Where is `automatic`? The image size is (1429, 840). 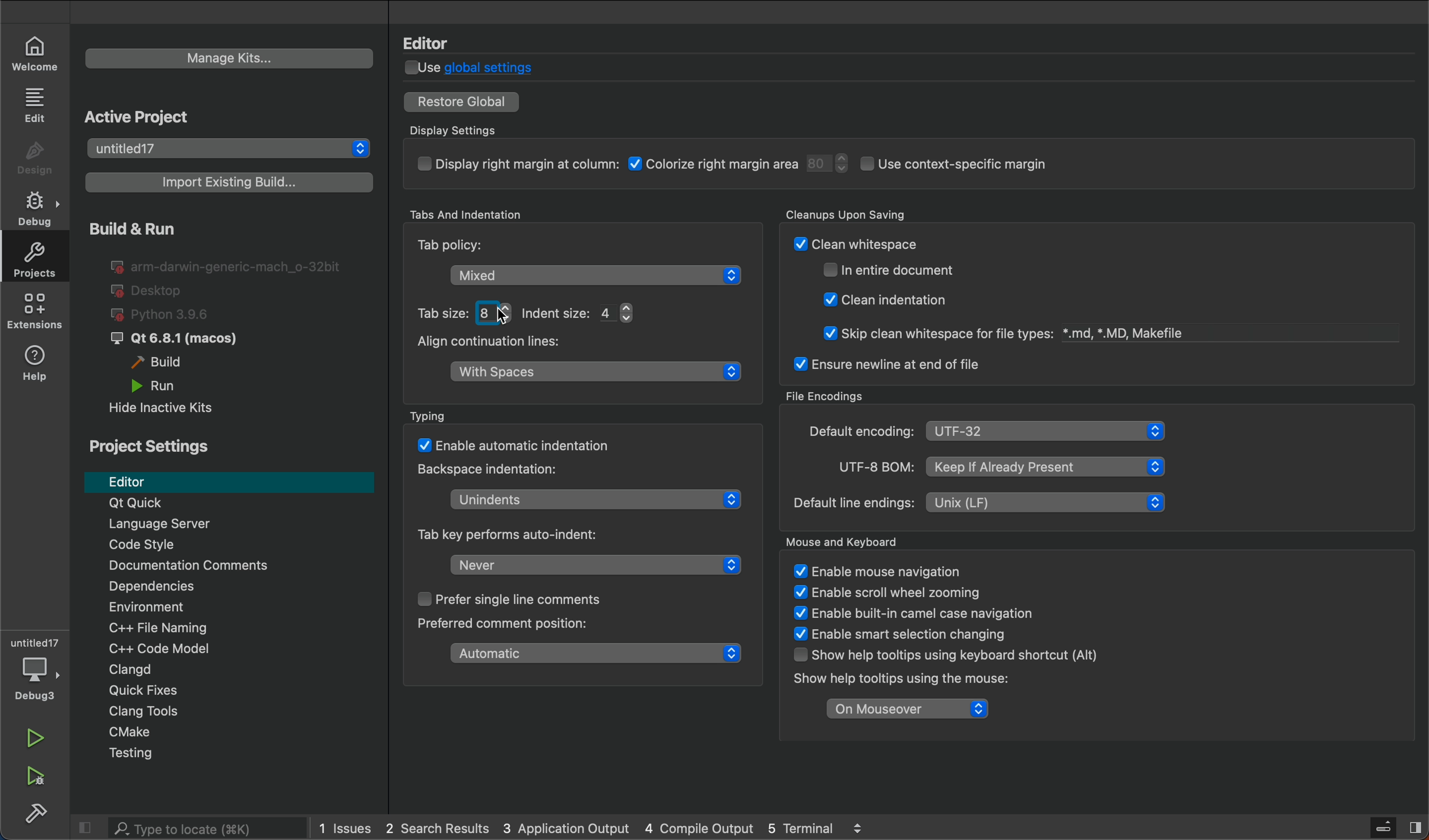
automatic is located at coordinates (589, 656).